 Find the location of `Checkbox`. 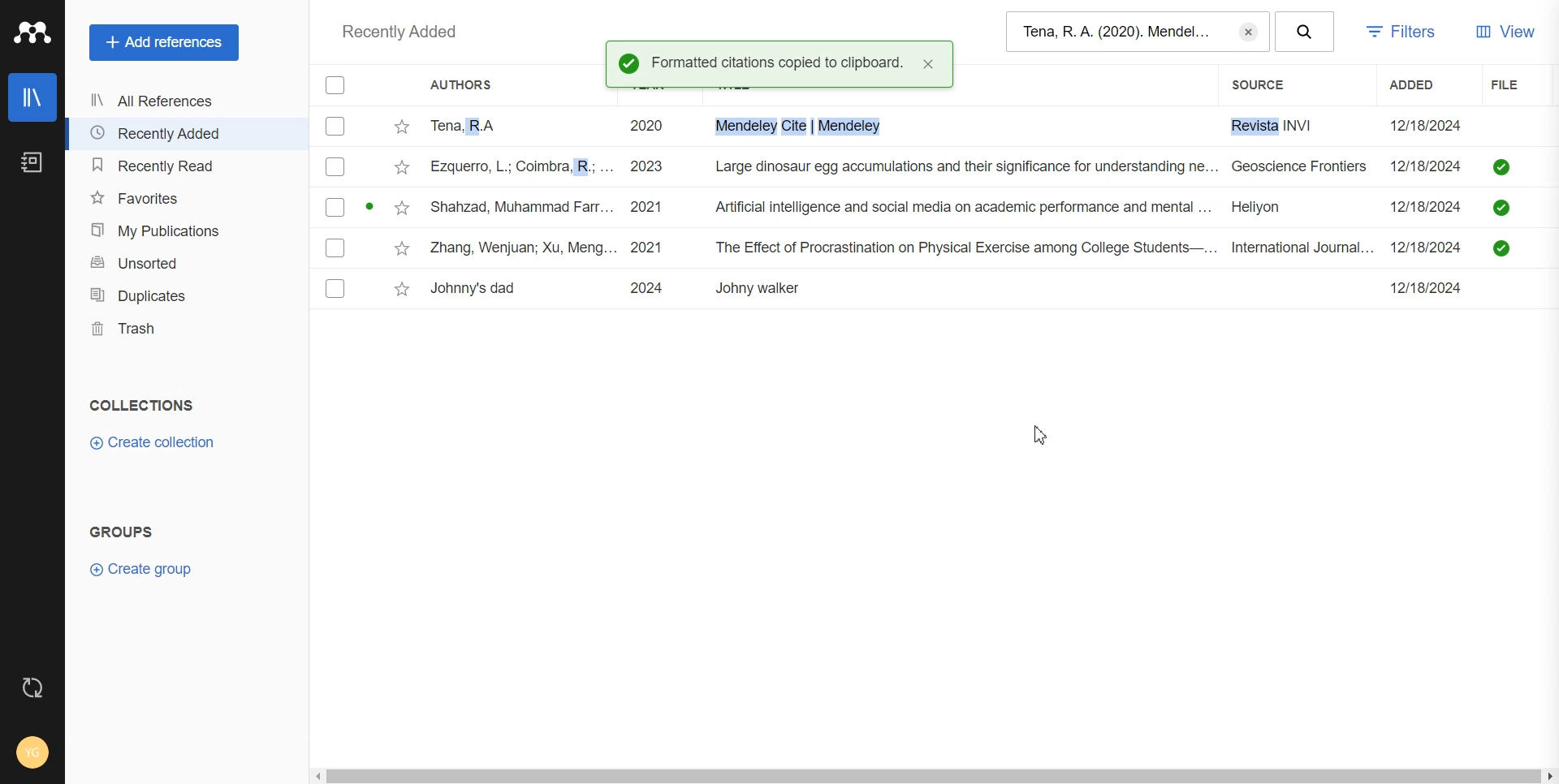

Checkbox is located at coordinates (335, 289).